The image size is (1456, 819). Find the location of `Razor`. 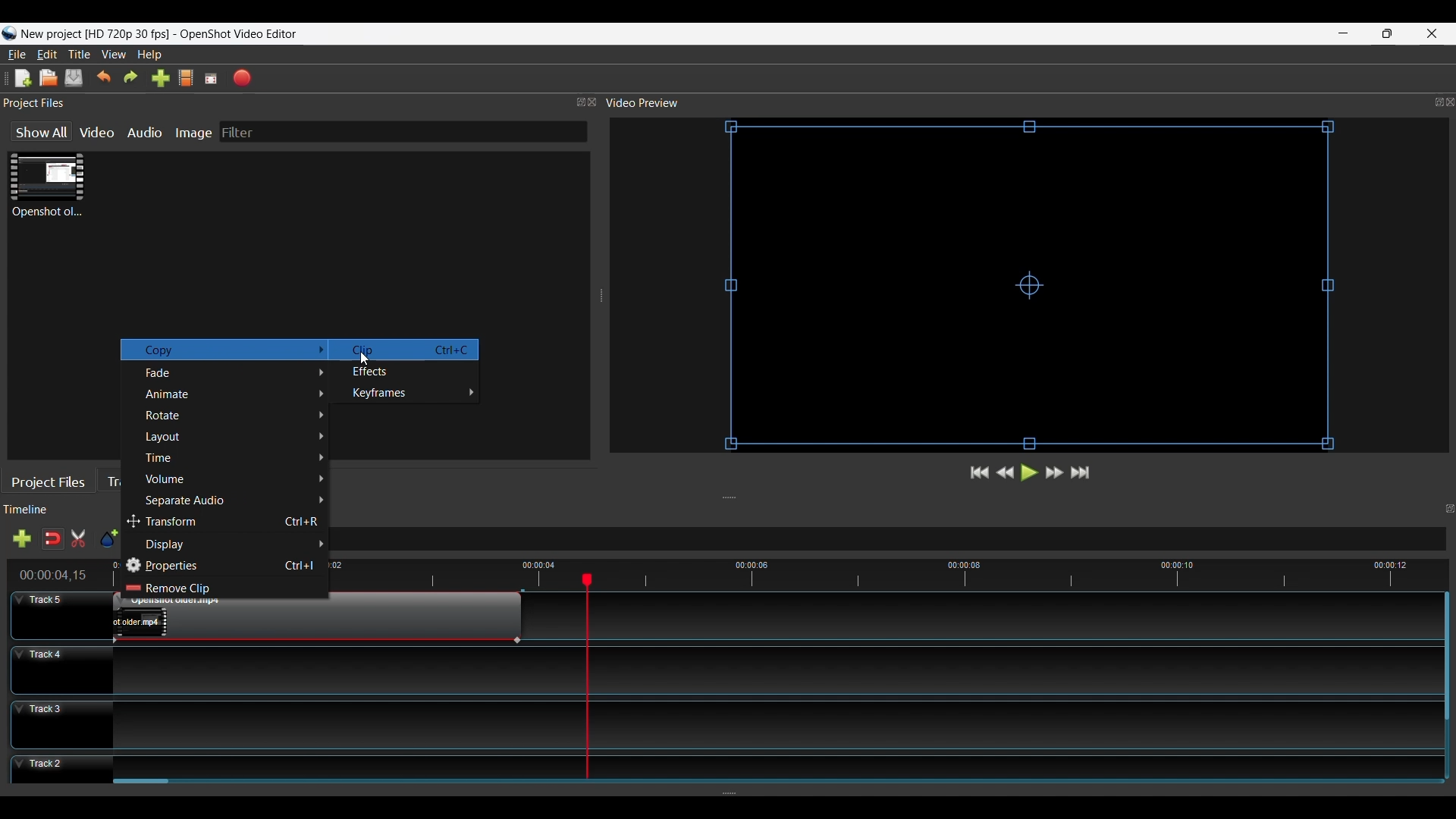

Razor is located at coordinates (80, 540).